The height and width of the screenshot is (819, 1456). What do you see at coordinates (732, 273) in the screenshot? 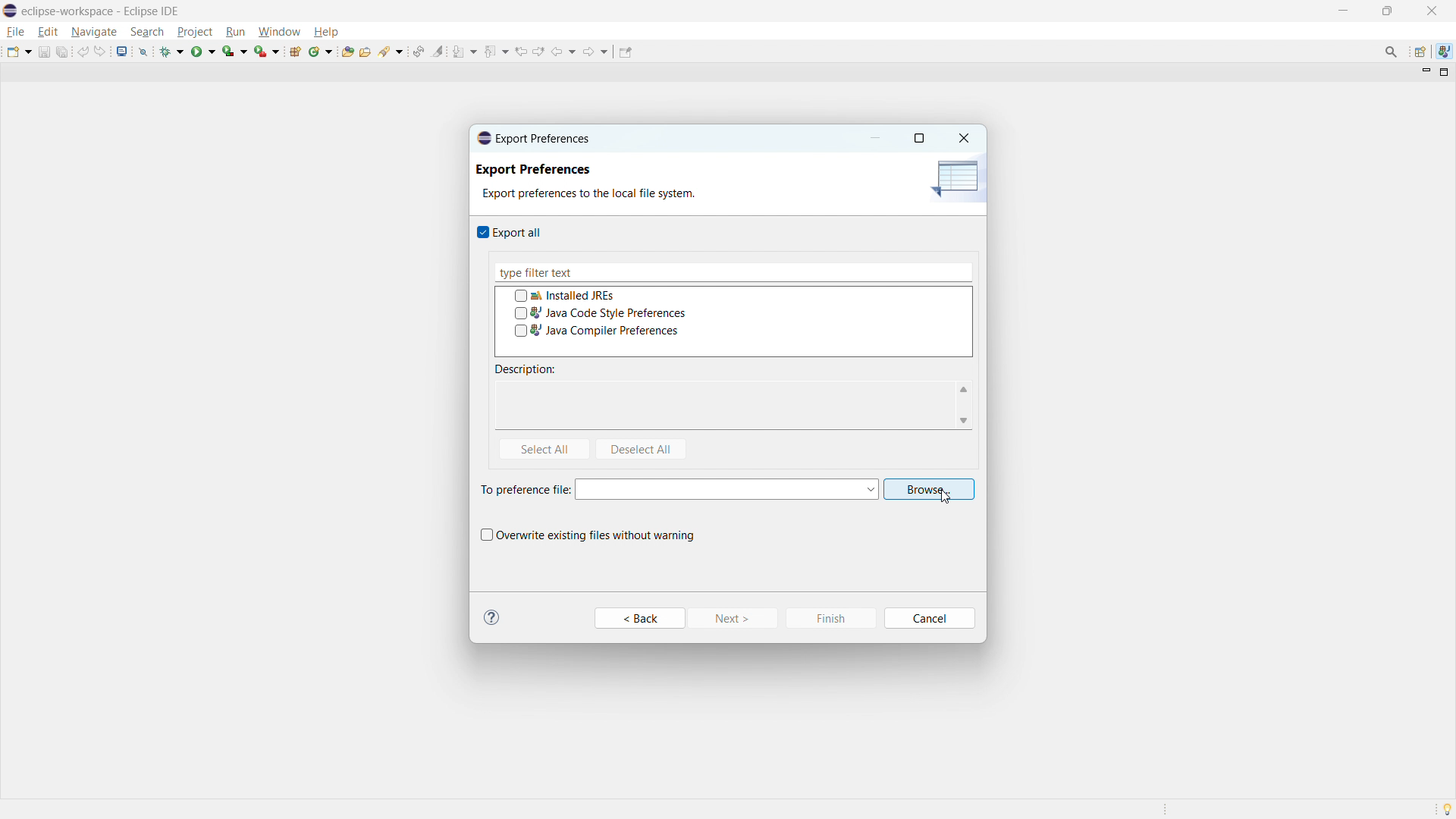
I see `type filter text` at bounding box center [732, 273].